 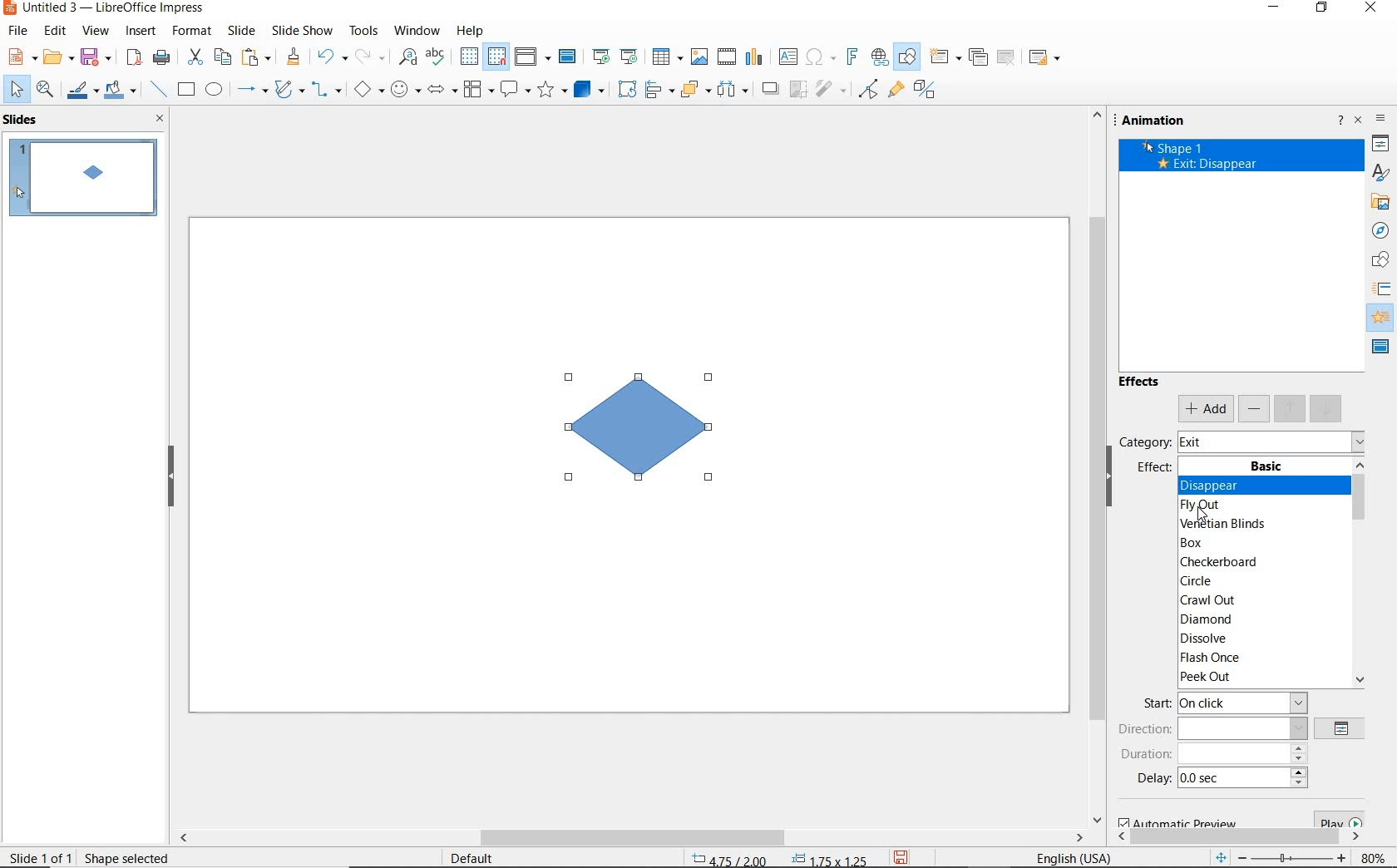 I want to click on connectors, so click(x=327, y=89).